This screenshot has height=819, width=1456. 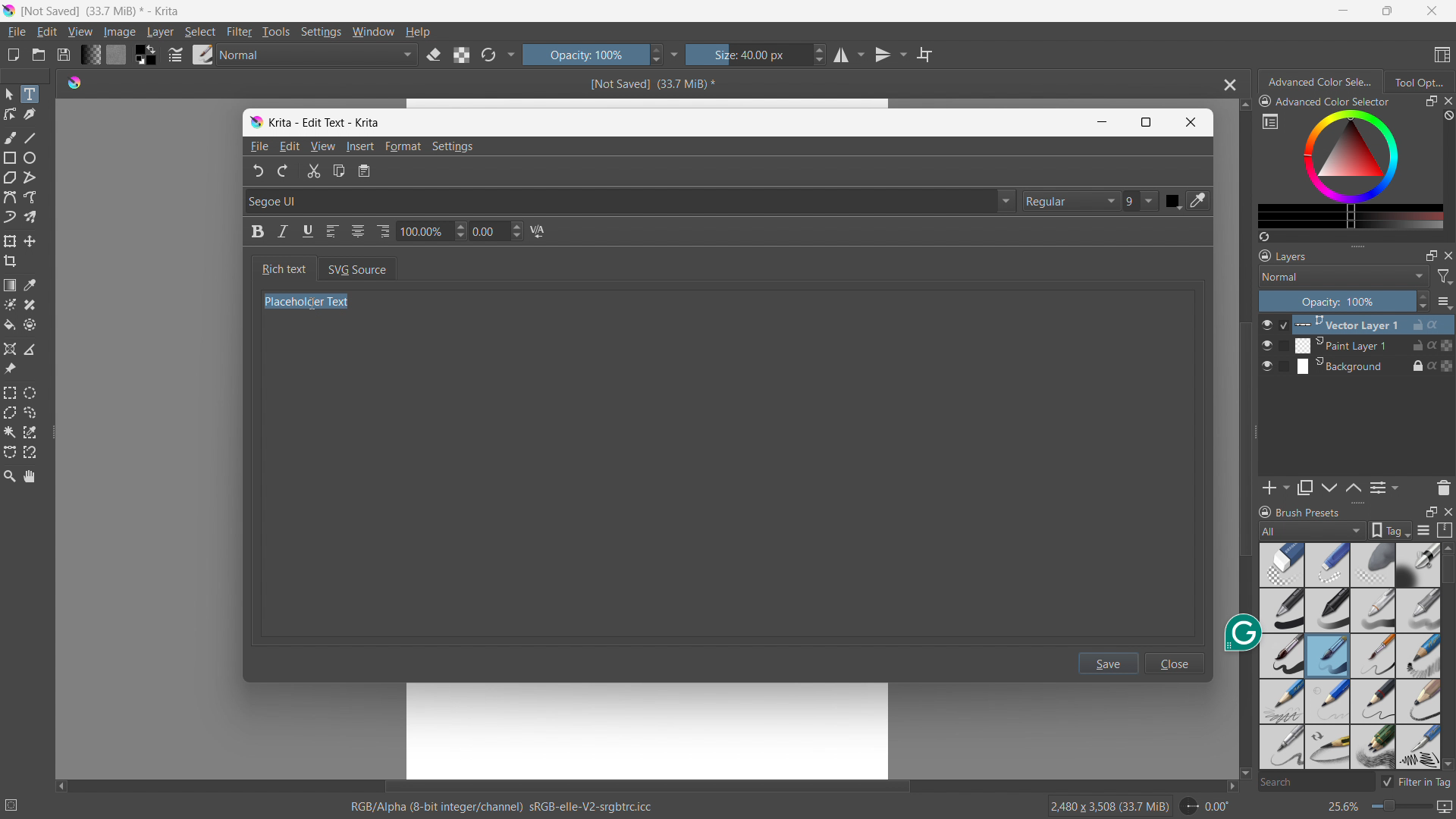 What do you see at coordinates (121, 33) in the screenshot?
I see `image` at bounding box center [121, 33].